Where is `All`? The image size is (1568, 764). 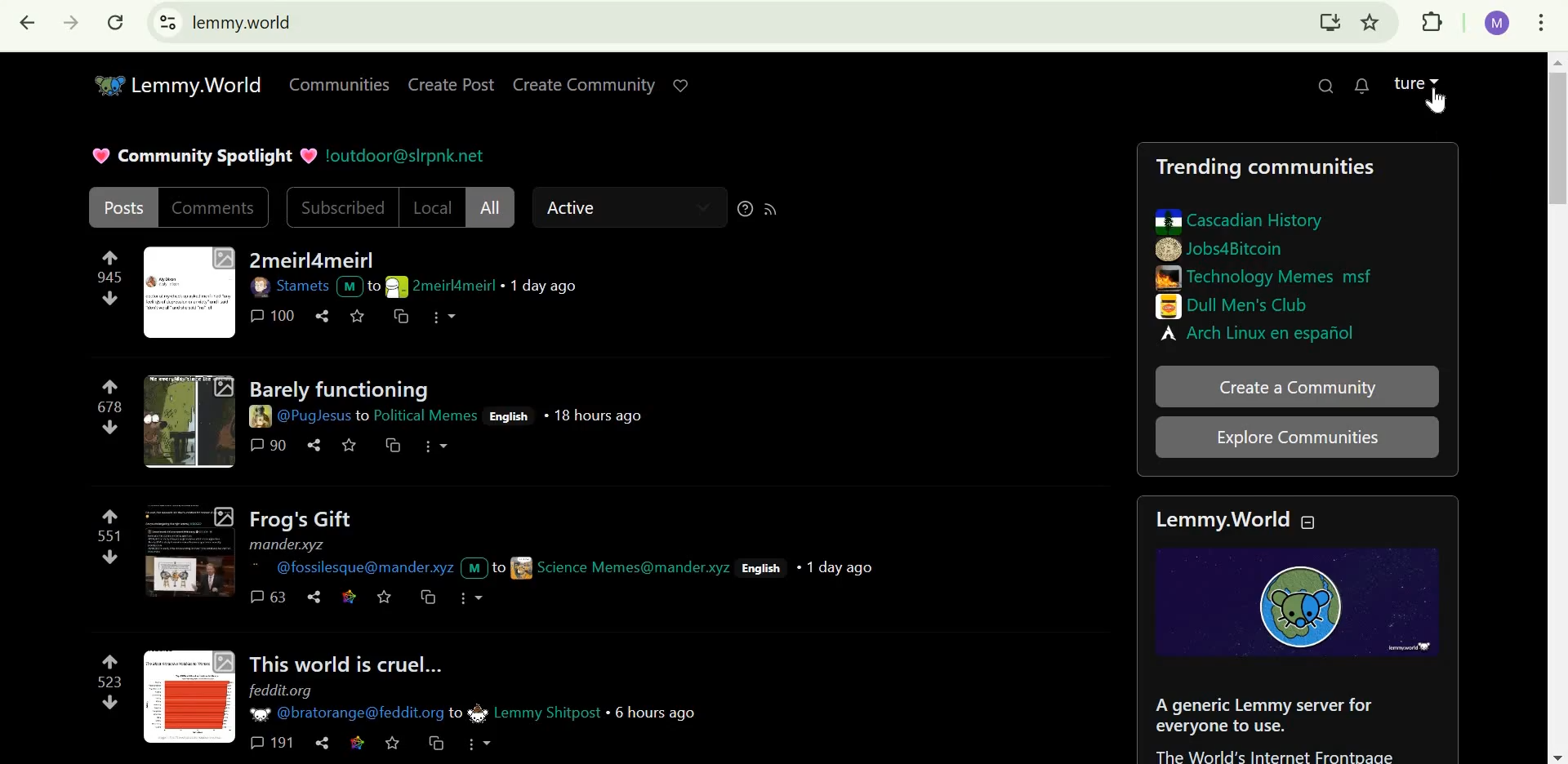
All is located at coordinates (490, 207).